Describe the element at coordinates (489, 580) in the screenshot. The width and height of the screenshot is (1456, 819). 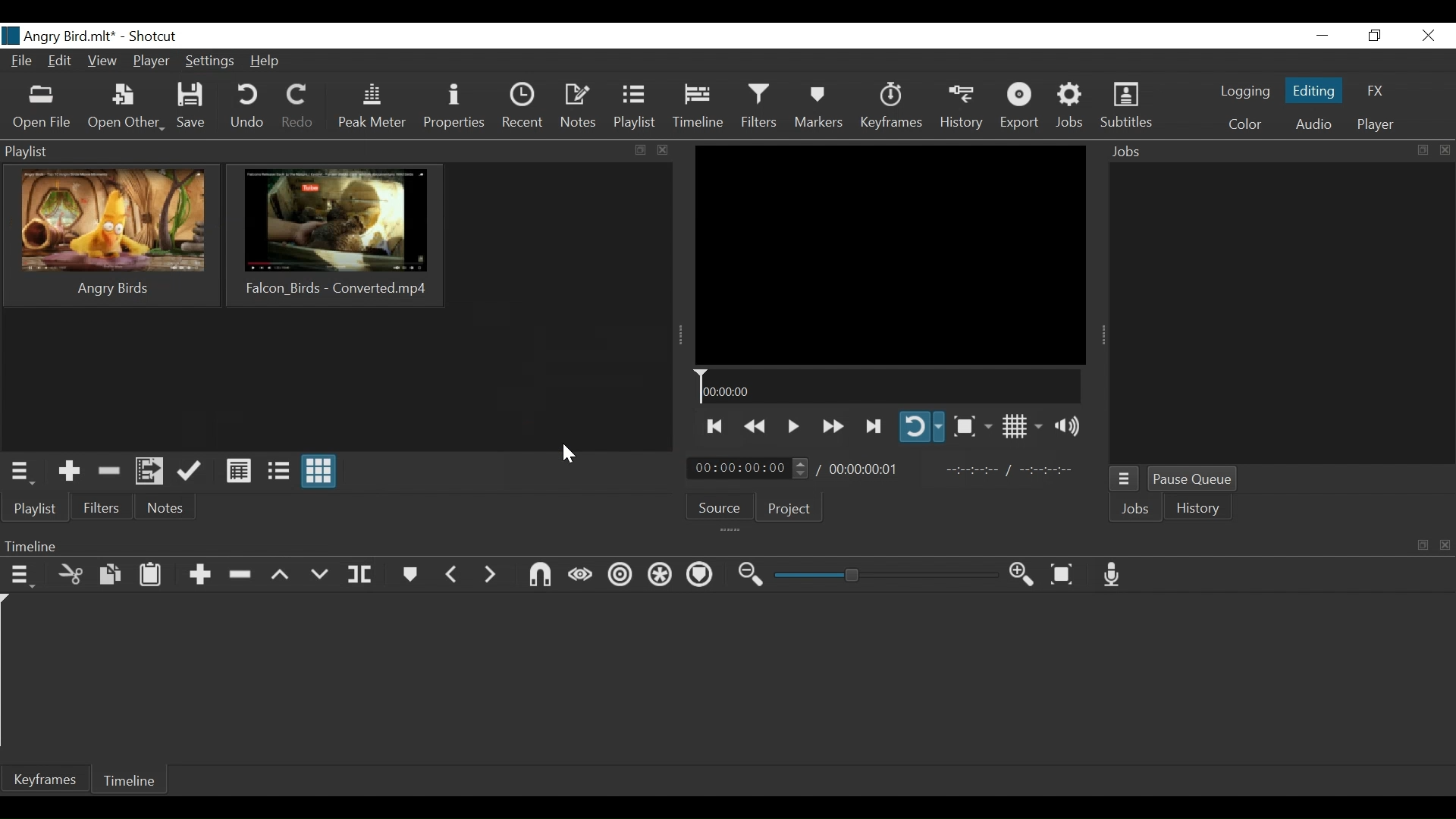
I see `Next marker` at that location.